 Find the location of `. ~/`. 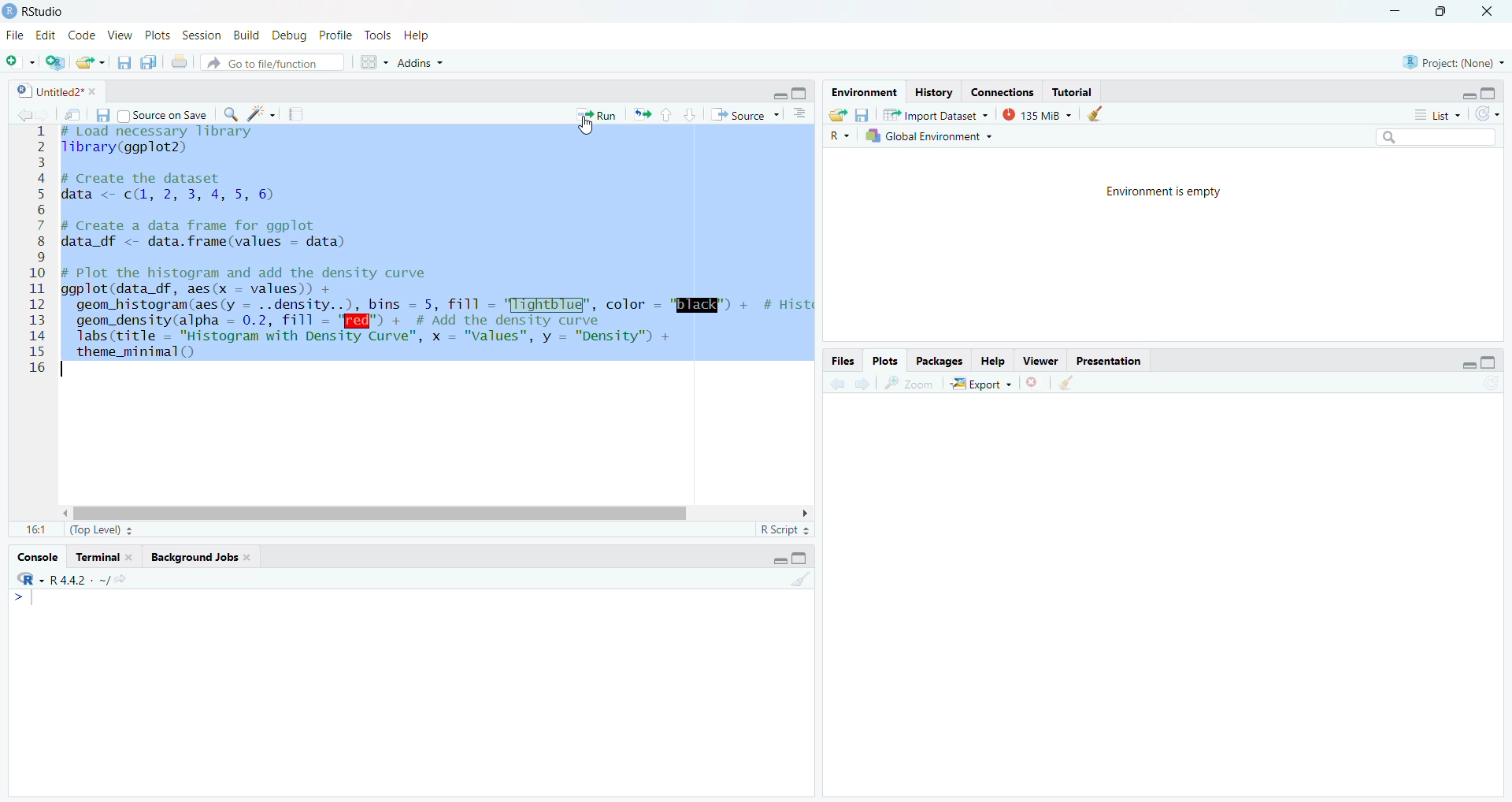

. ~/ is located at coordinates (101, 578).